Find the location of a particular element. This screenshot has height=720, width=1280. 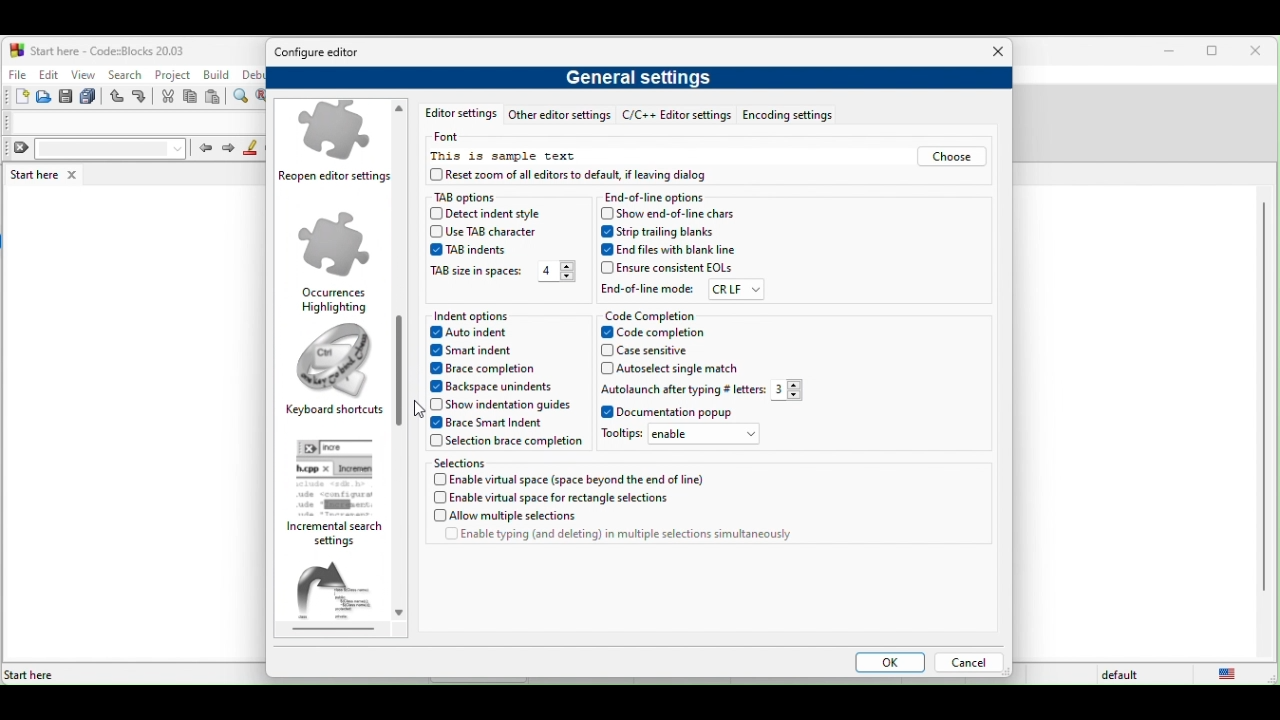

start here is located at coordinates (47, 174).